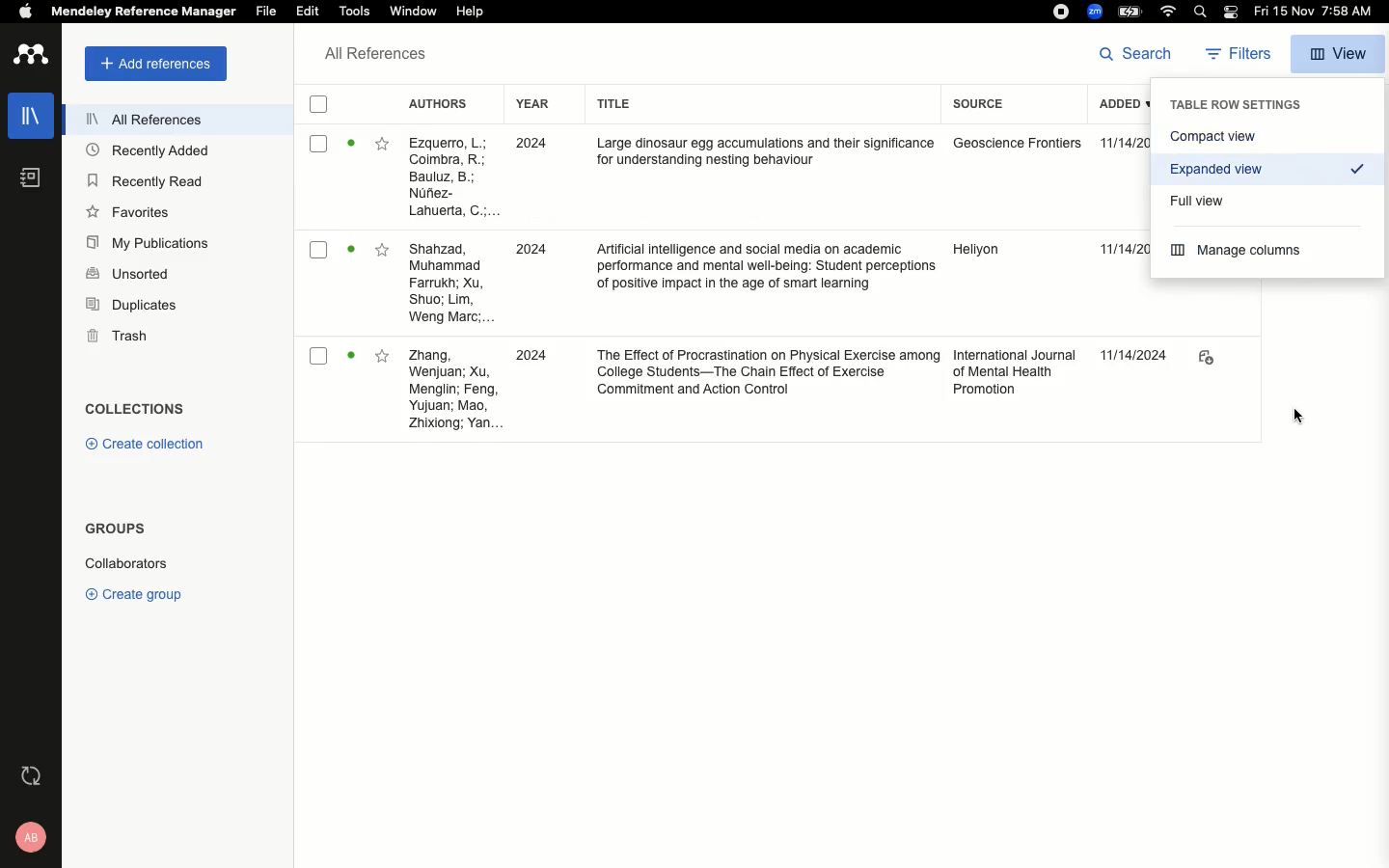  Describe the element at coordinates (370, 55) in the screenshot. I see `All references` at that location.